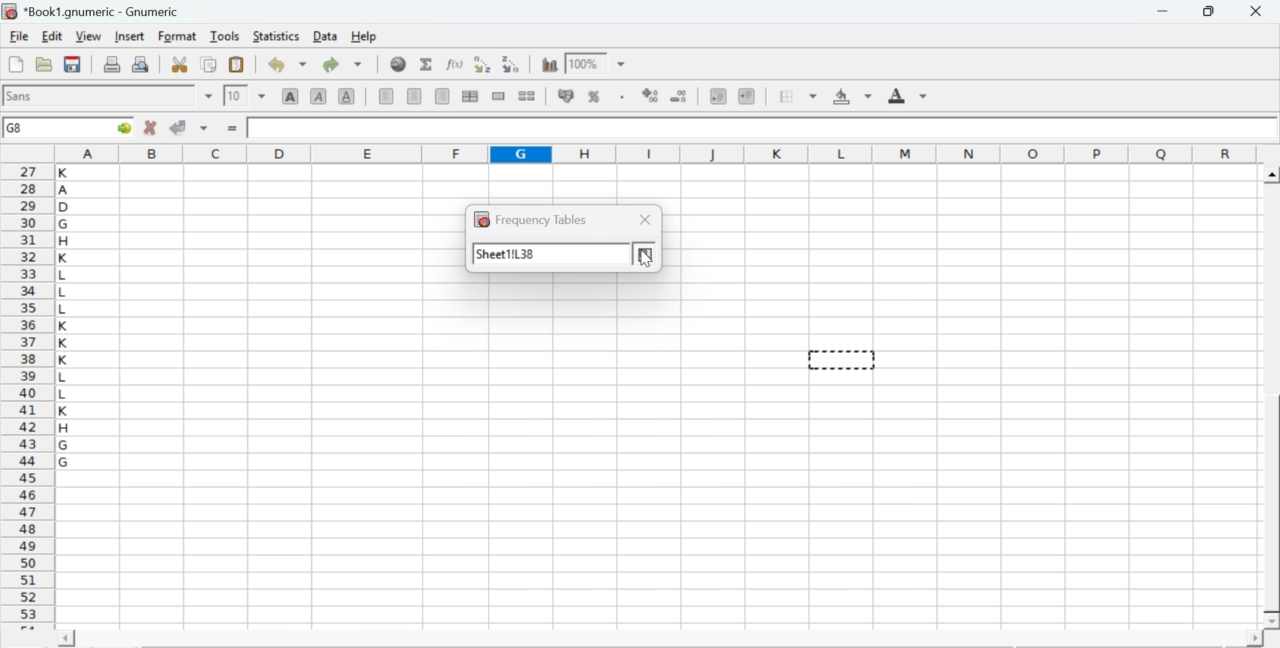 This screenshot has width=1280, height=648. Describe the element at coordinates (512, 62) in the screenshot. I see `Sort the selected region in descending order based on the first column selected` at that location.